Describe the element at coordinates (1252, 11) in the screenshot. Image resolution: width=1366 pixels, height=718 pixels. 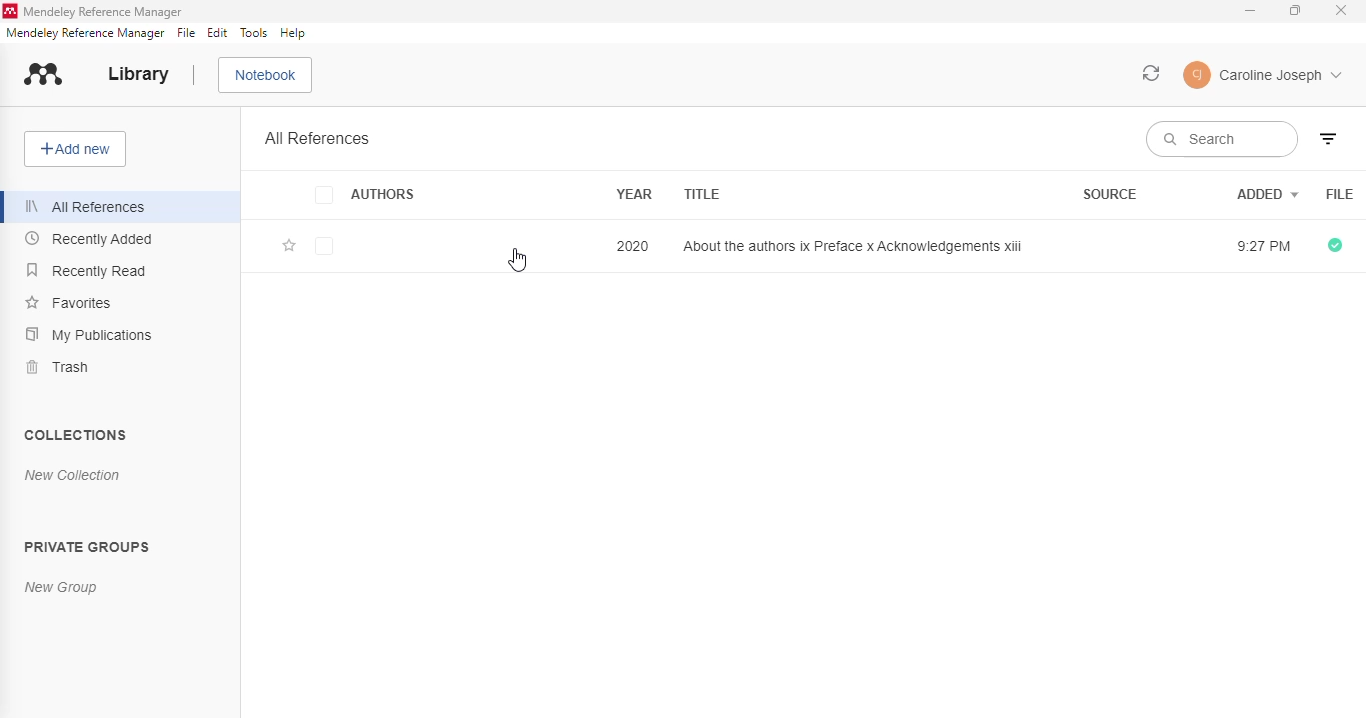
I see `minimize` at that location.